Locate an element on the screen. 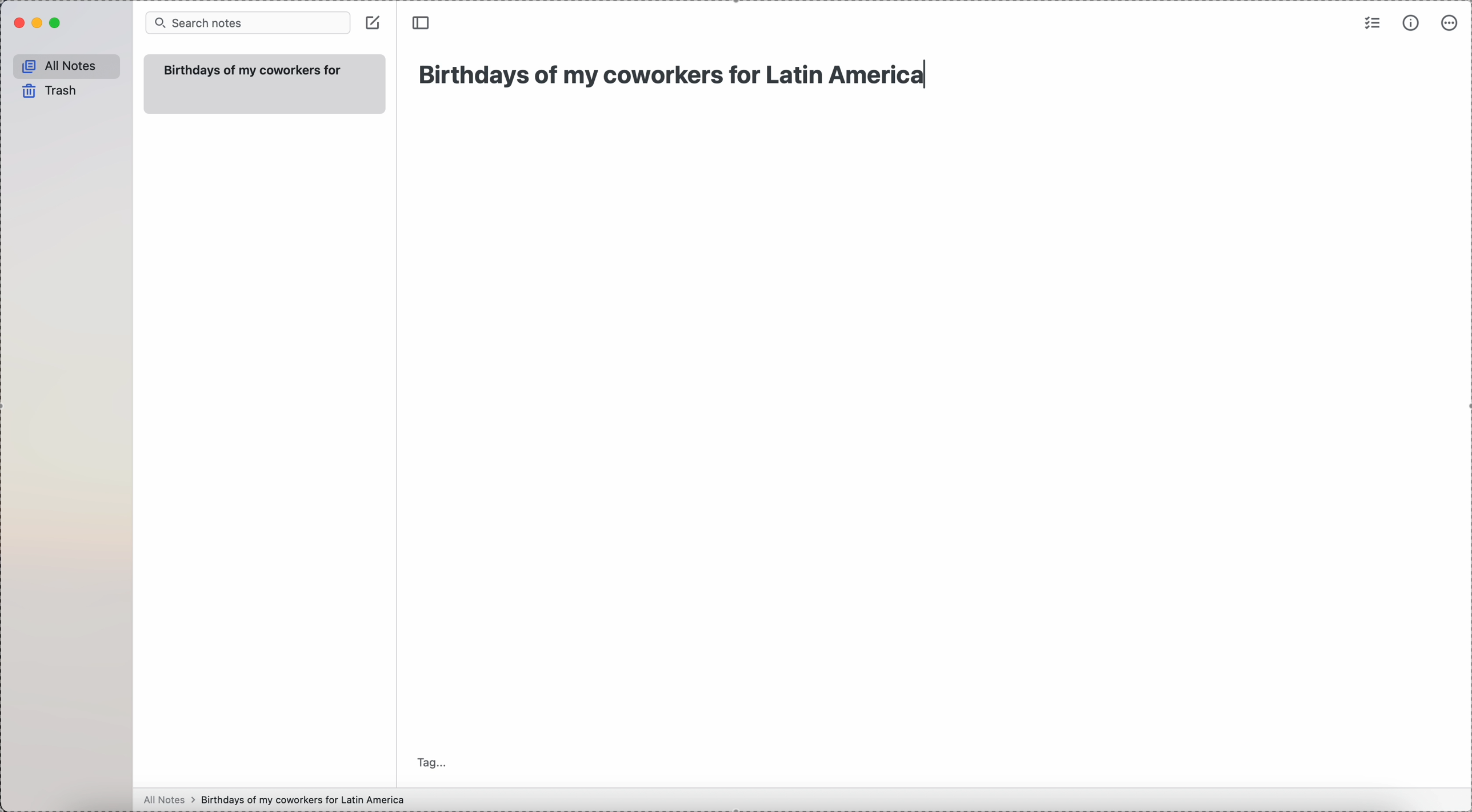 Image resolution: width=1472 pixels, height=812 pixels. all notes is located at coordinates (67, 64).